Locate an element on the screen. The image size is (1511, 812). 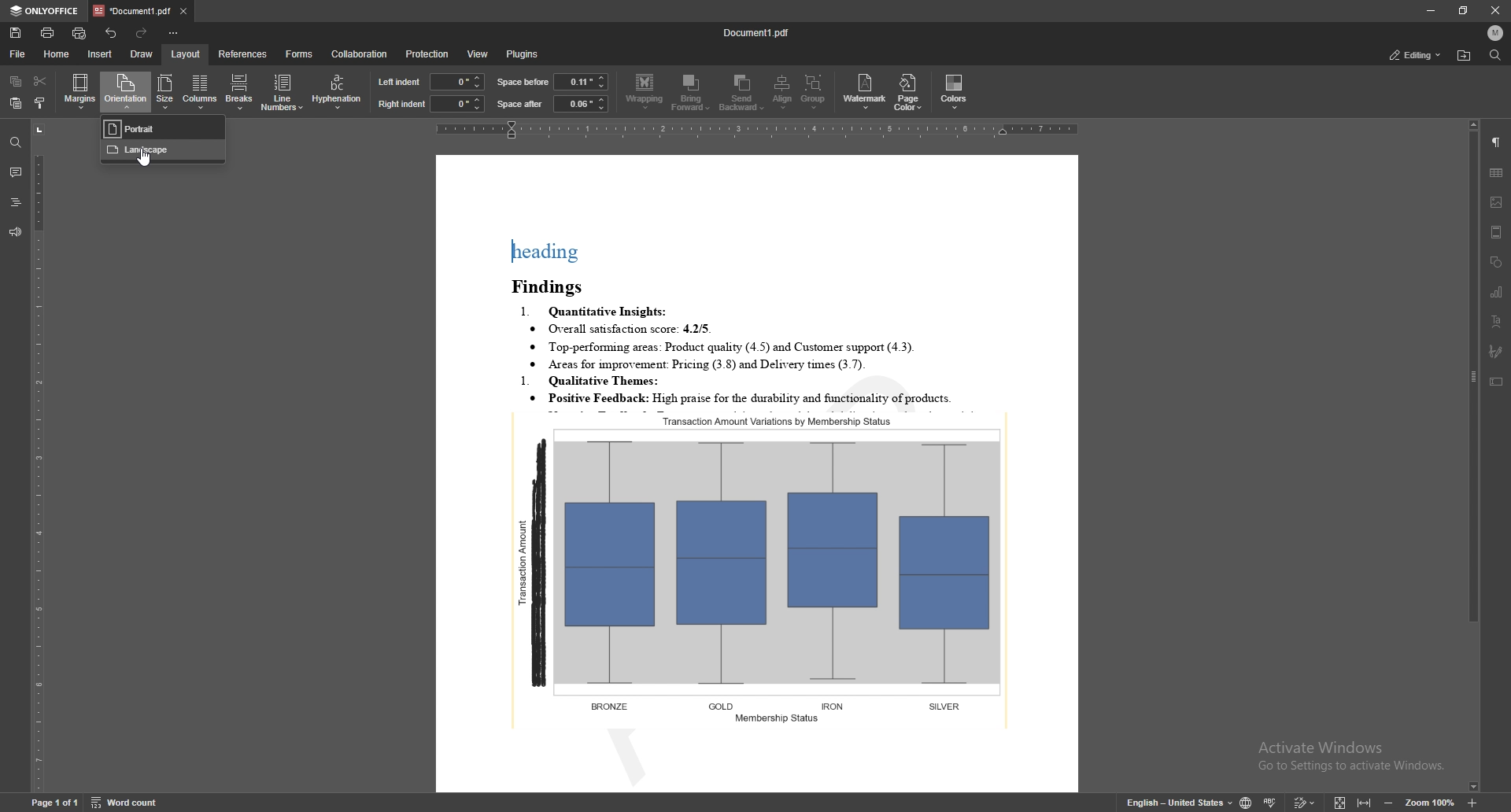
fit to screen is located at coordinates (1340, 801).